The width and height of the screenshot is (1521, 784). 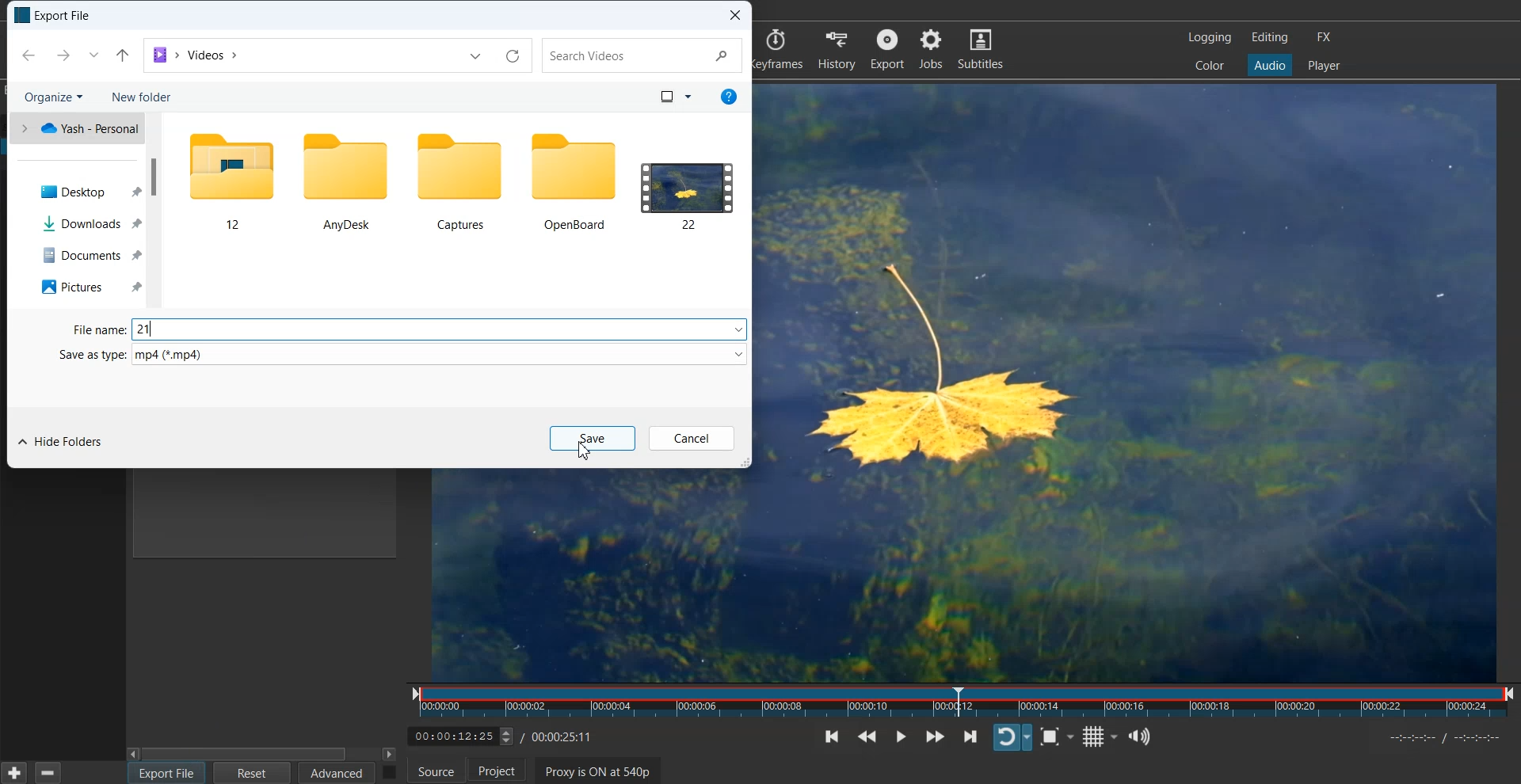 I want to click on keyframes, so click(x=781, y=48).